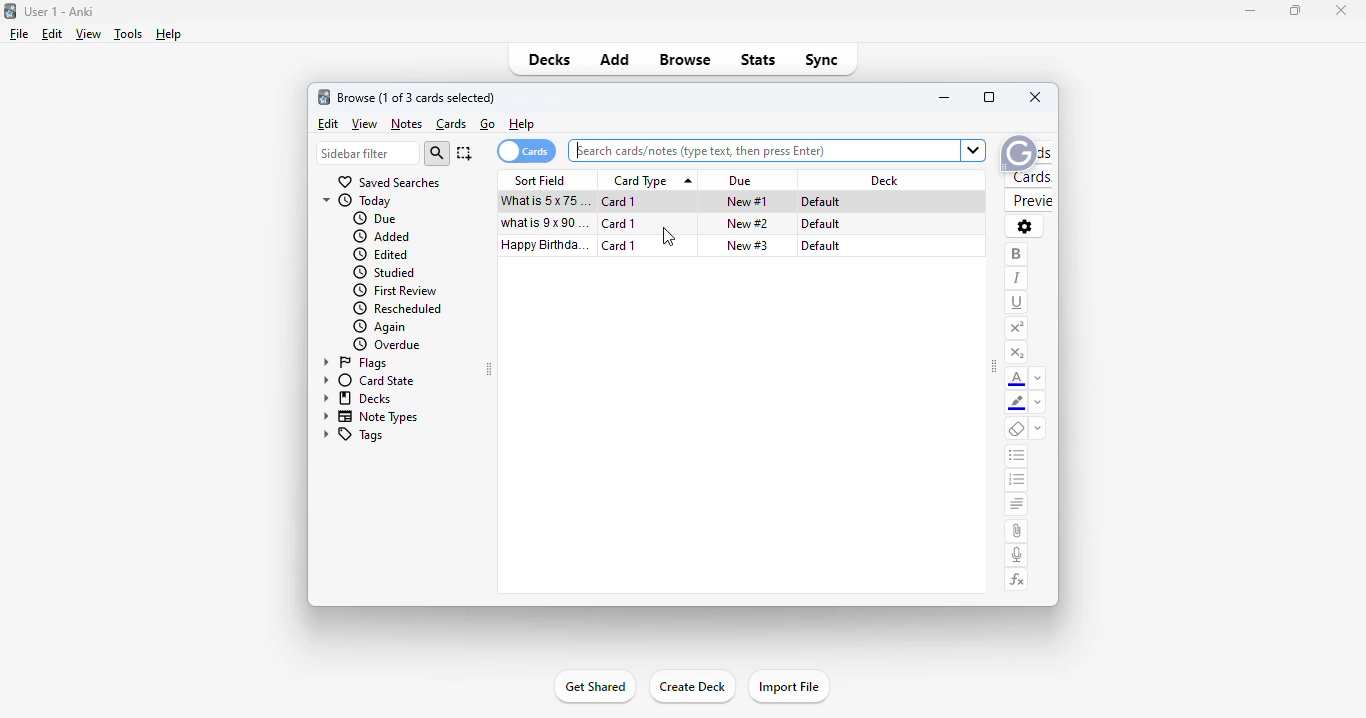 The height and width of the screenshot is (718, 1366). I want to click on italic, so click(1015, 278).